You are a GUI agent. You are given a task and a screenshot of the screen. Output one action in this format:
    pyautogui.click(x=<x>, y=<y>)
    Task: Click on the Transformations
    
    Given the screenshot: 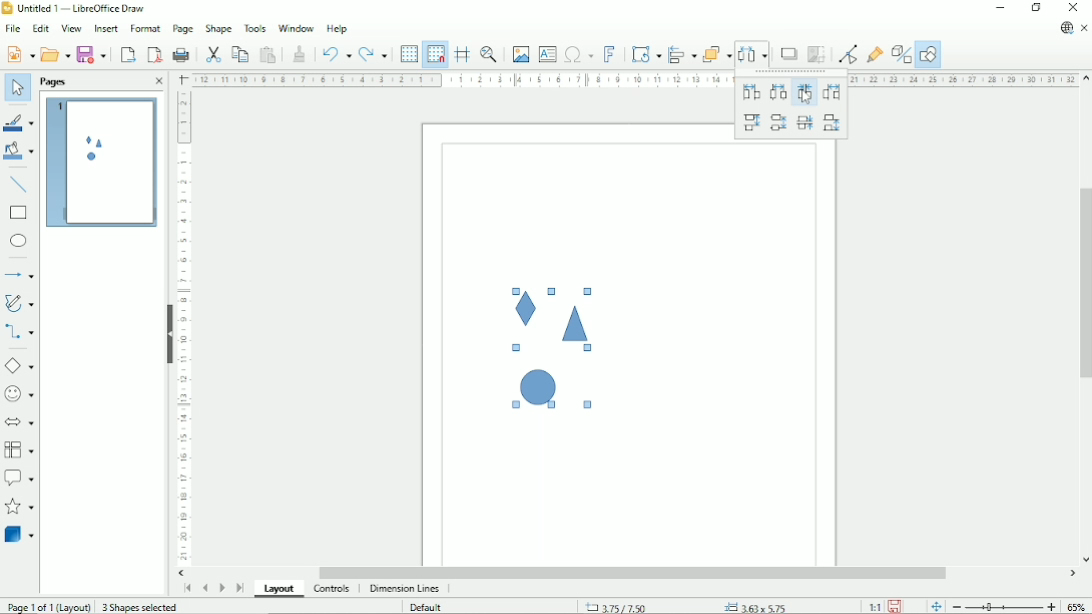 What is the action you would take?
    pyautogui.click(x=646, y=55)
    